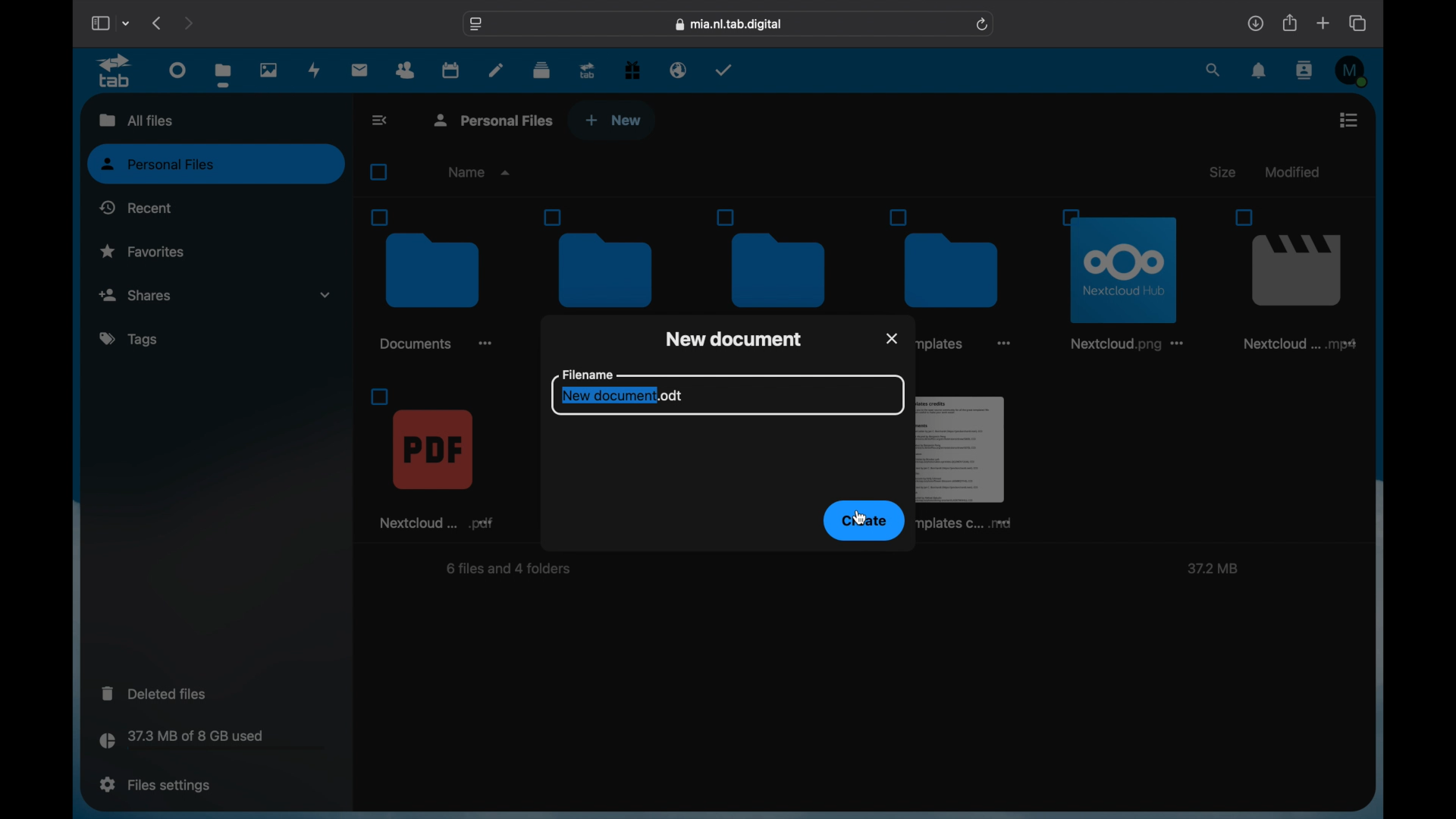 The image size is (1456, 819). Describe the element at coordinates (730, 25) in the screenshot. I see `web address` at that location.